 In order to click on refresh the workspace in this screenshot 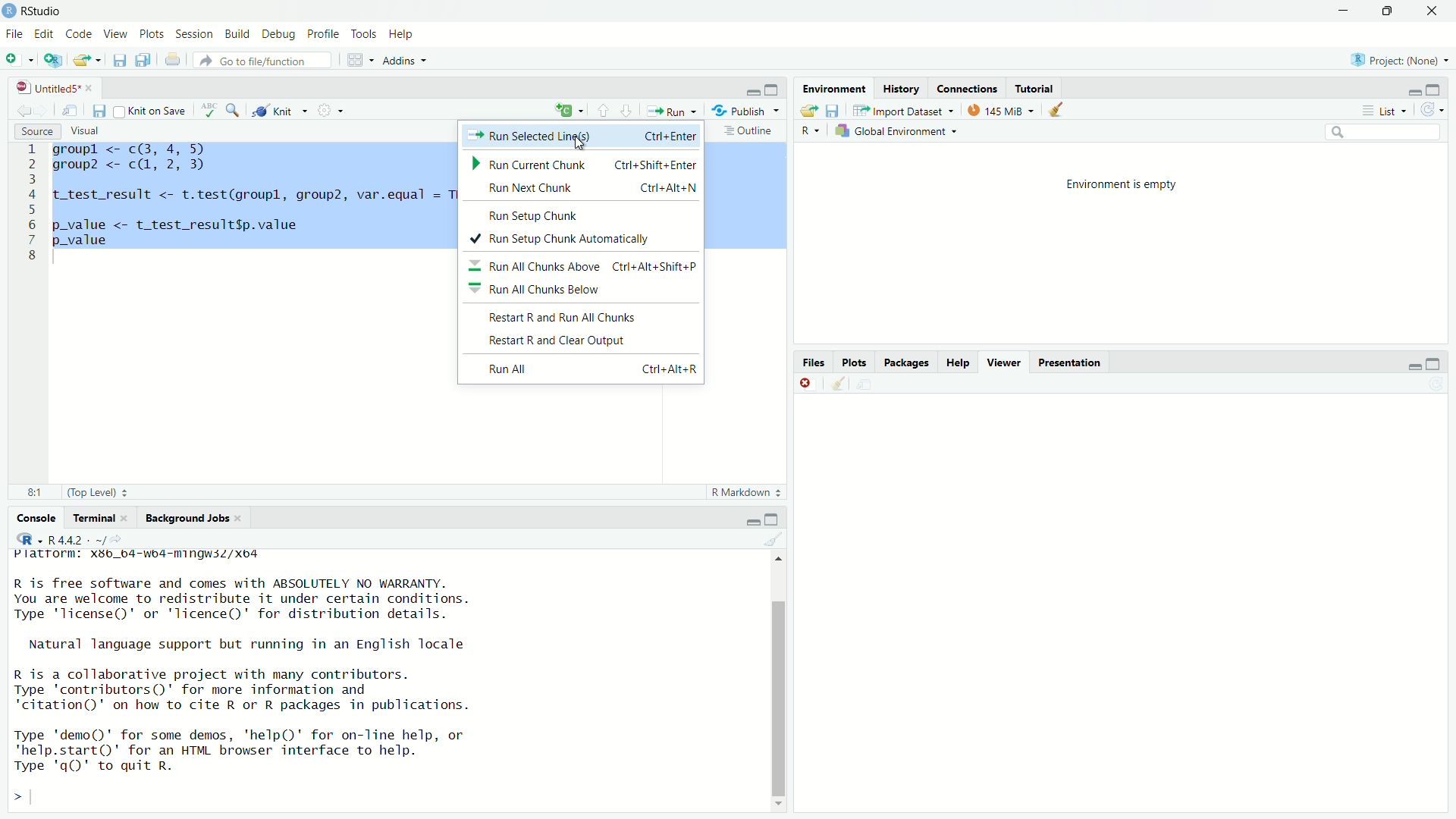, I will do `click(1432, 110)`.